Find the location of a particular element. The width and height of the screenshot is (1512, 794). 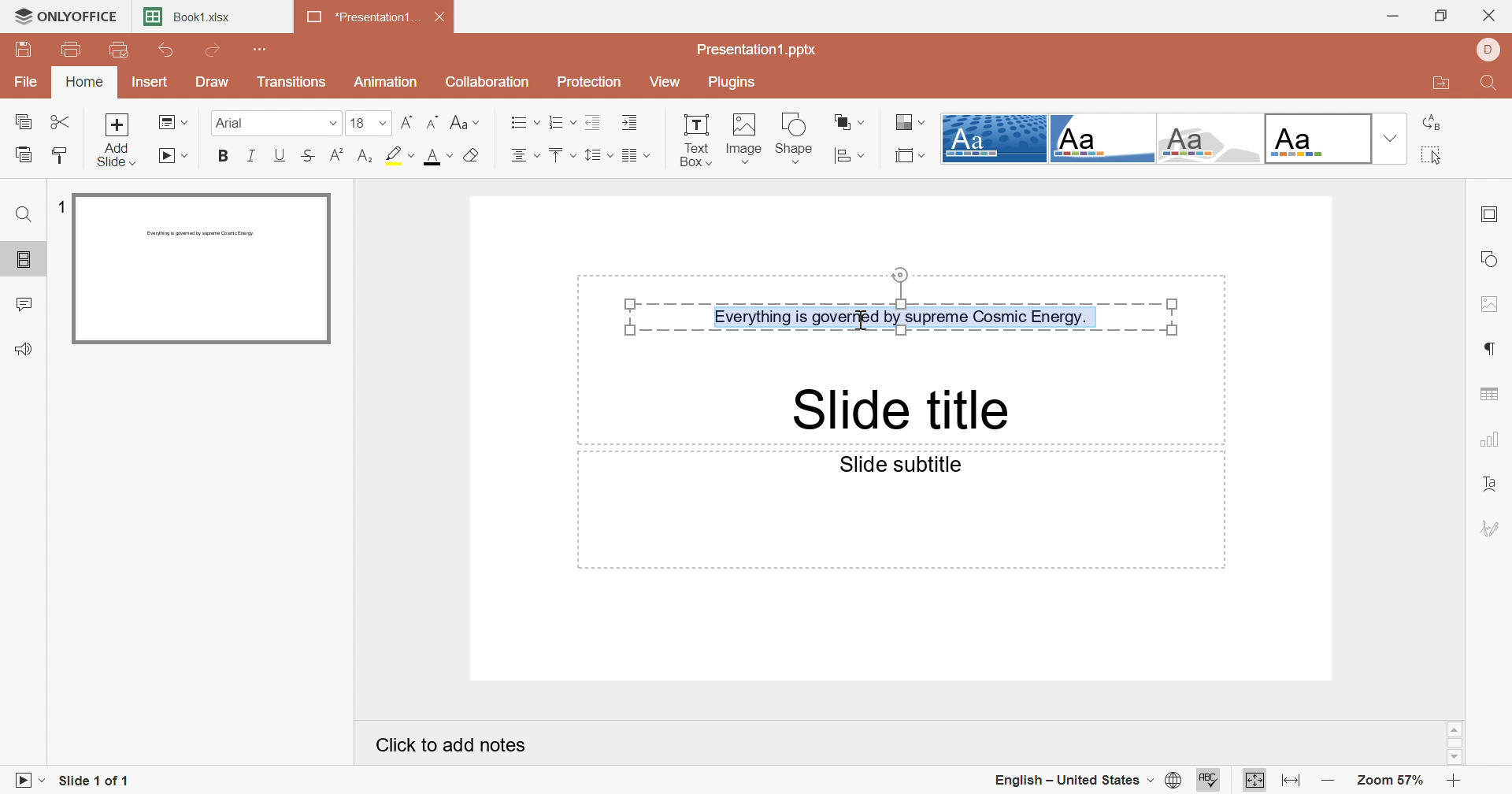

Everything is governed by supreme Cosmic Energy. is located at coordinates (903, 305).